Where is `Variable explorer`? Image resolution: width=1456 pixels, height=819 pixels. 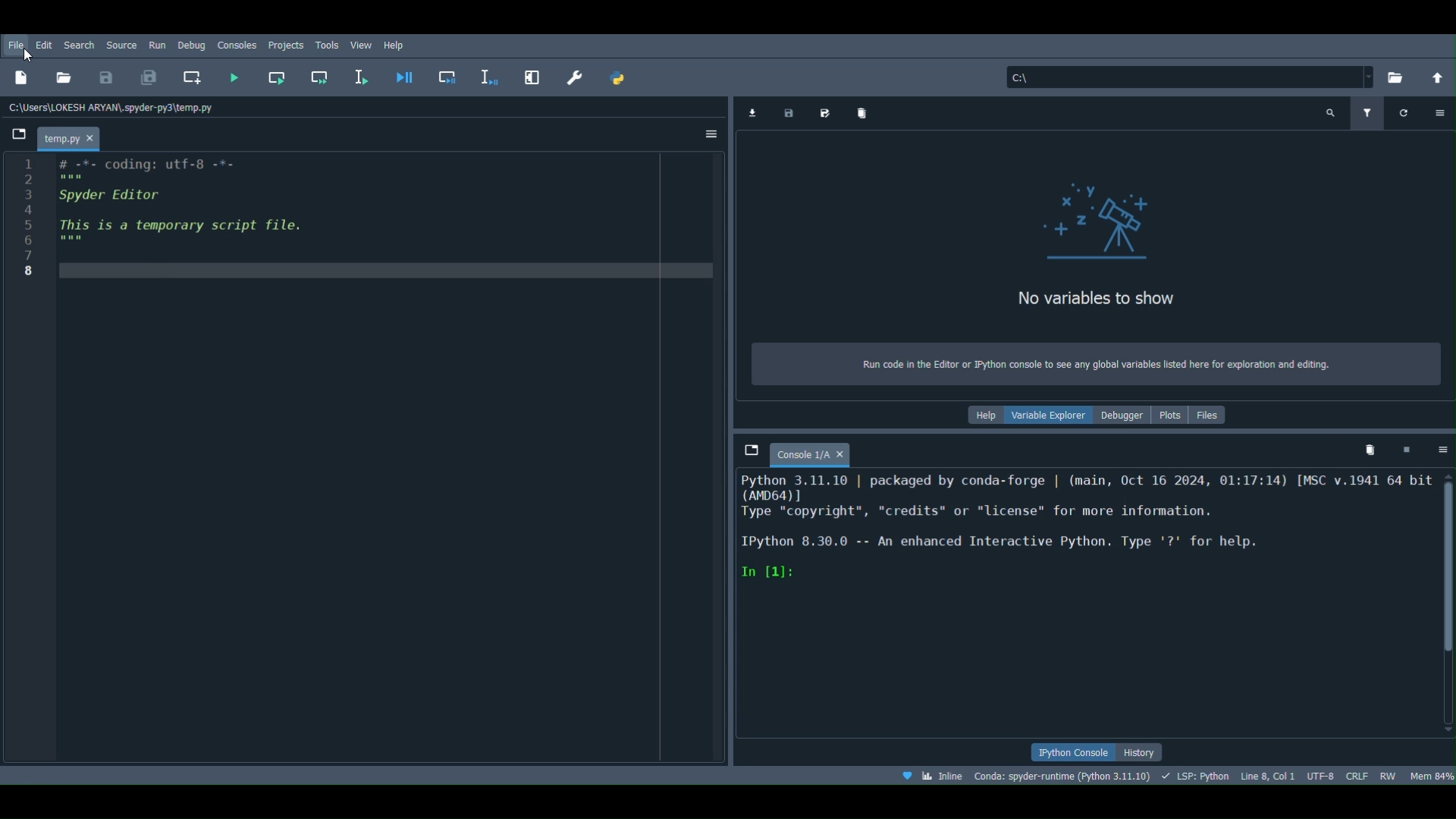 Variable explorer is located at coordinates (1050, 417).